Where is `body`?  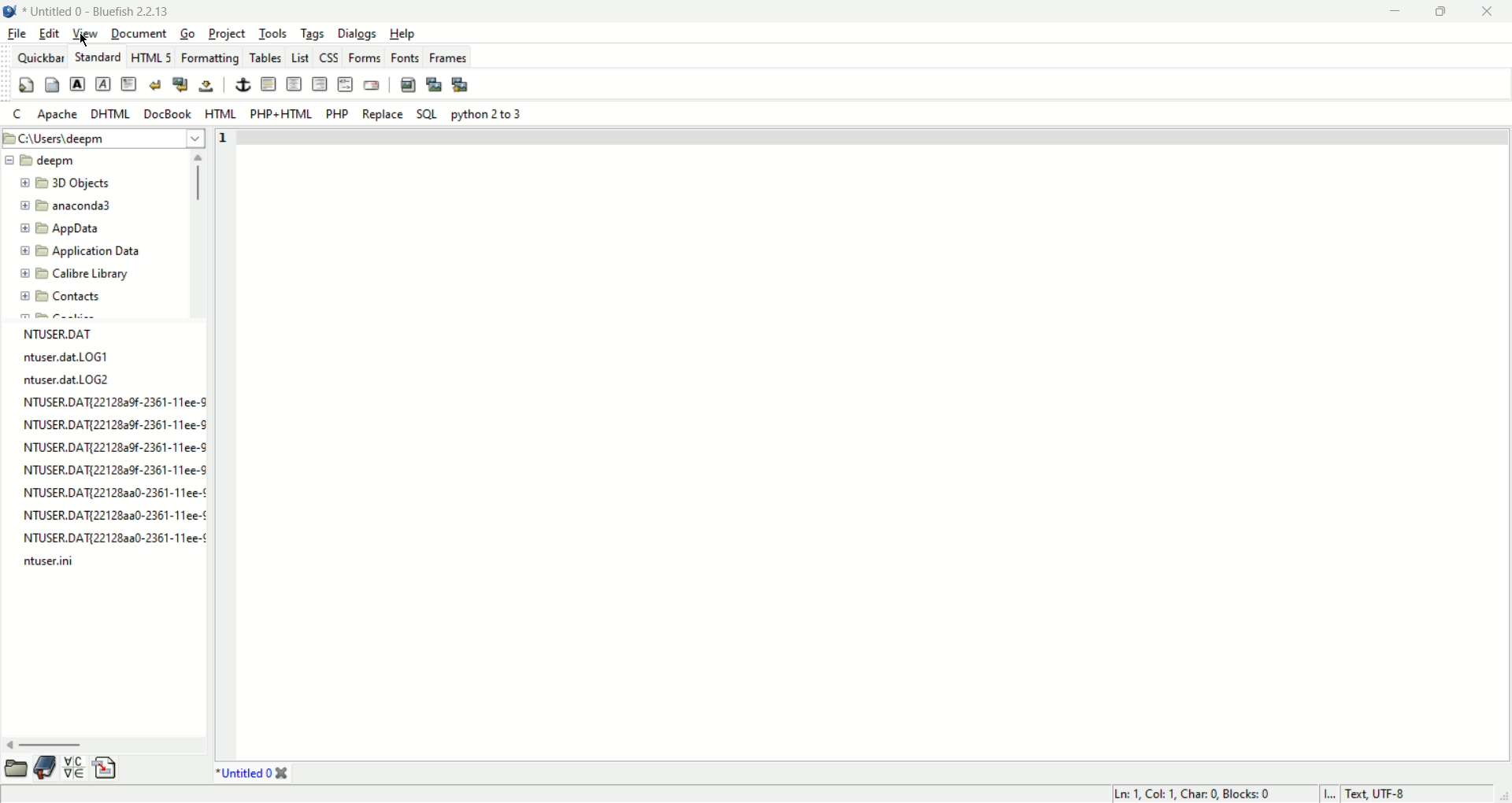 body is located at coordinates (51, 83).